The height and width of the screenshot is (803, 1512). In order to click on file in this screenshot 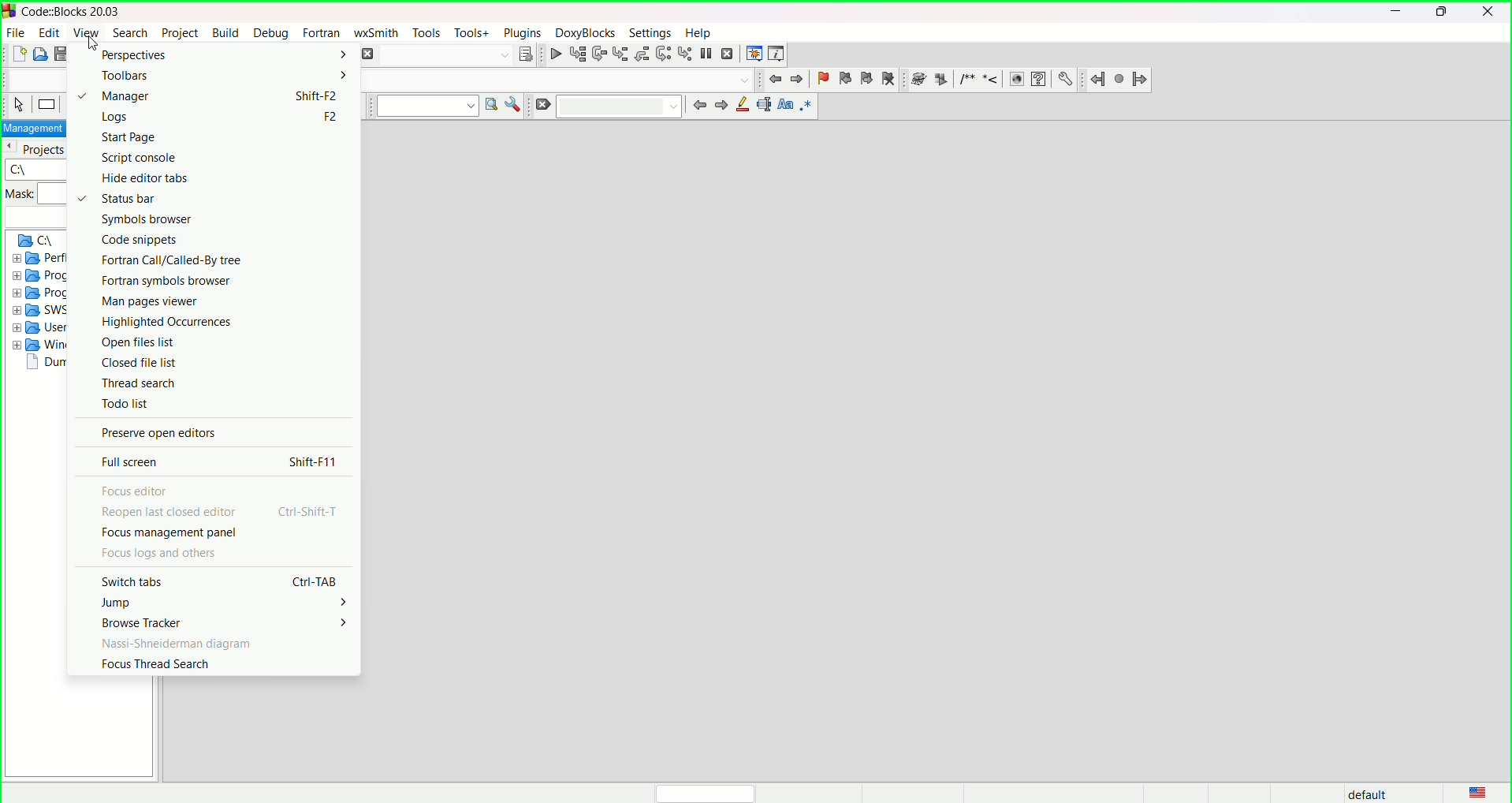, I will do `click(17, 33)`.